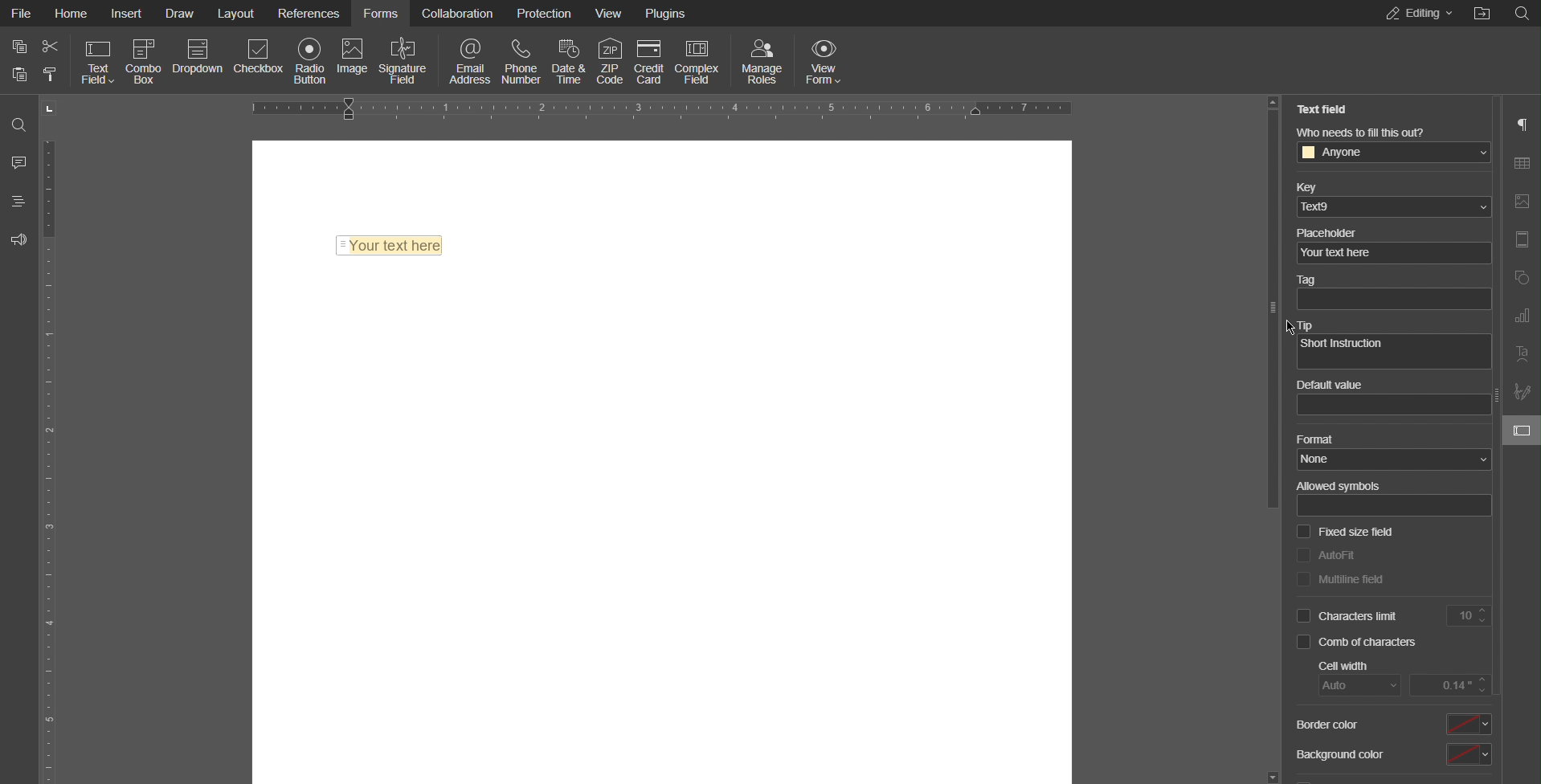  Describe the element at coordinates (19, 125) in the screenshot. I see `Search` at that location.